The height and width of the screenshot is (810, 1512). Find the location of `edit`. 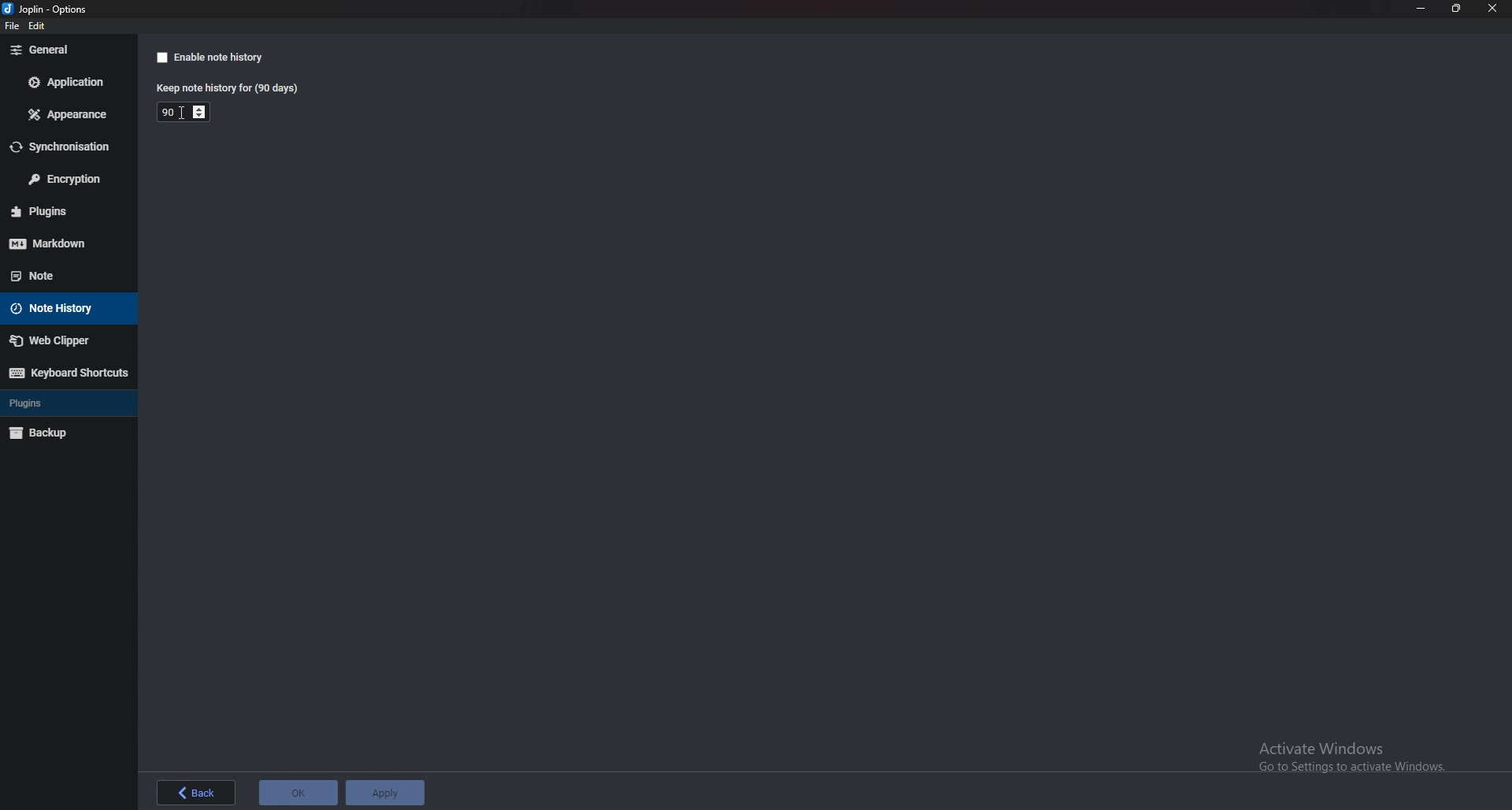

edit is located at coordinates (39, 26).